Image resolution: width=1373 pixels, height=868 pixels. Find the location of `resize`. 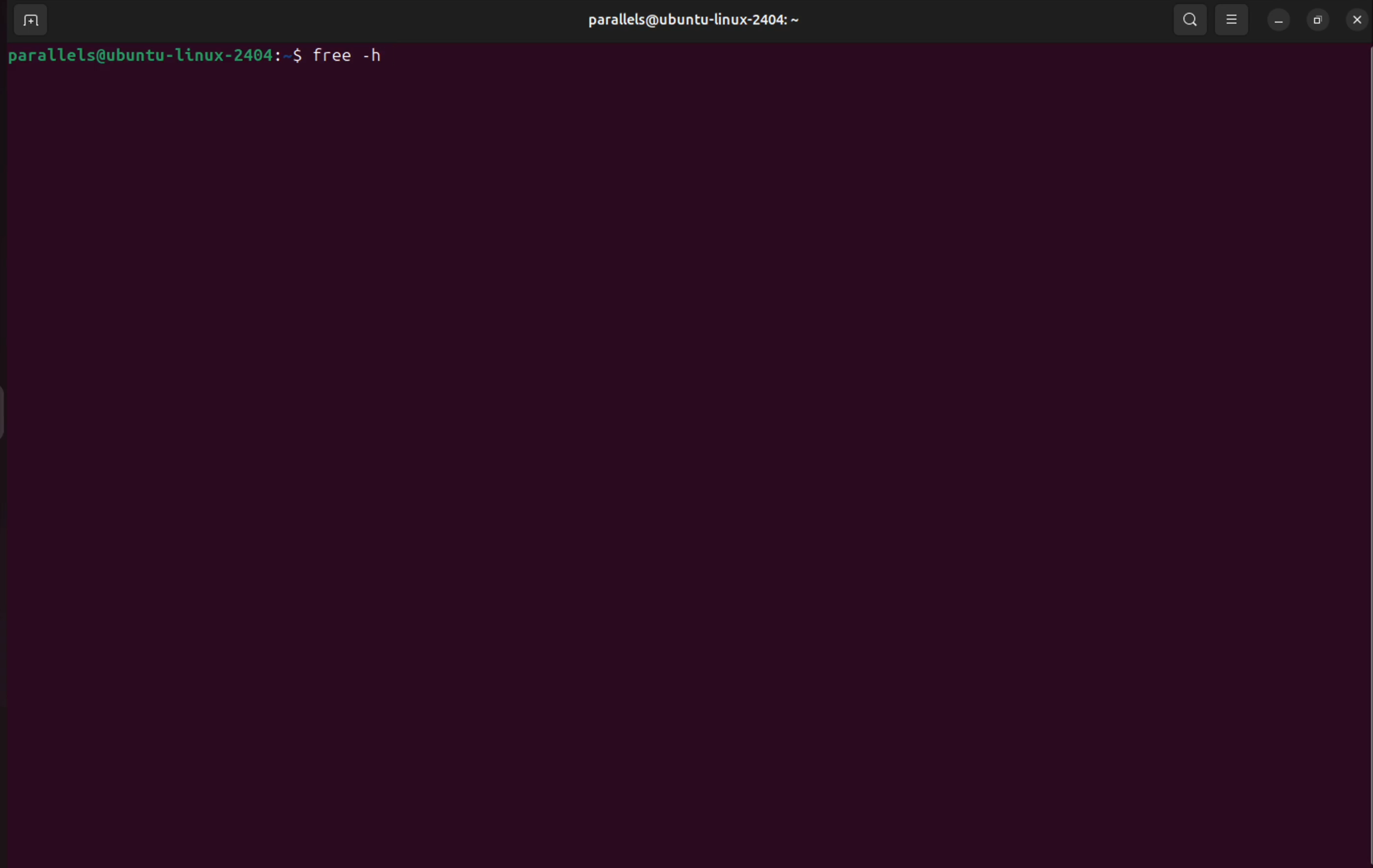

resize is located at coordinates (1318, 21).